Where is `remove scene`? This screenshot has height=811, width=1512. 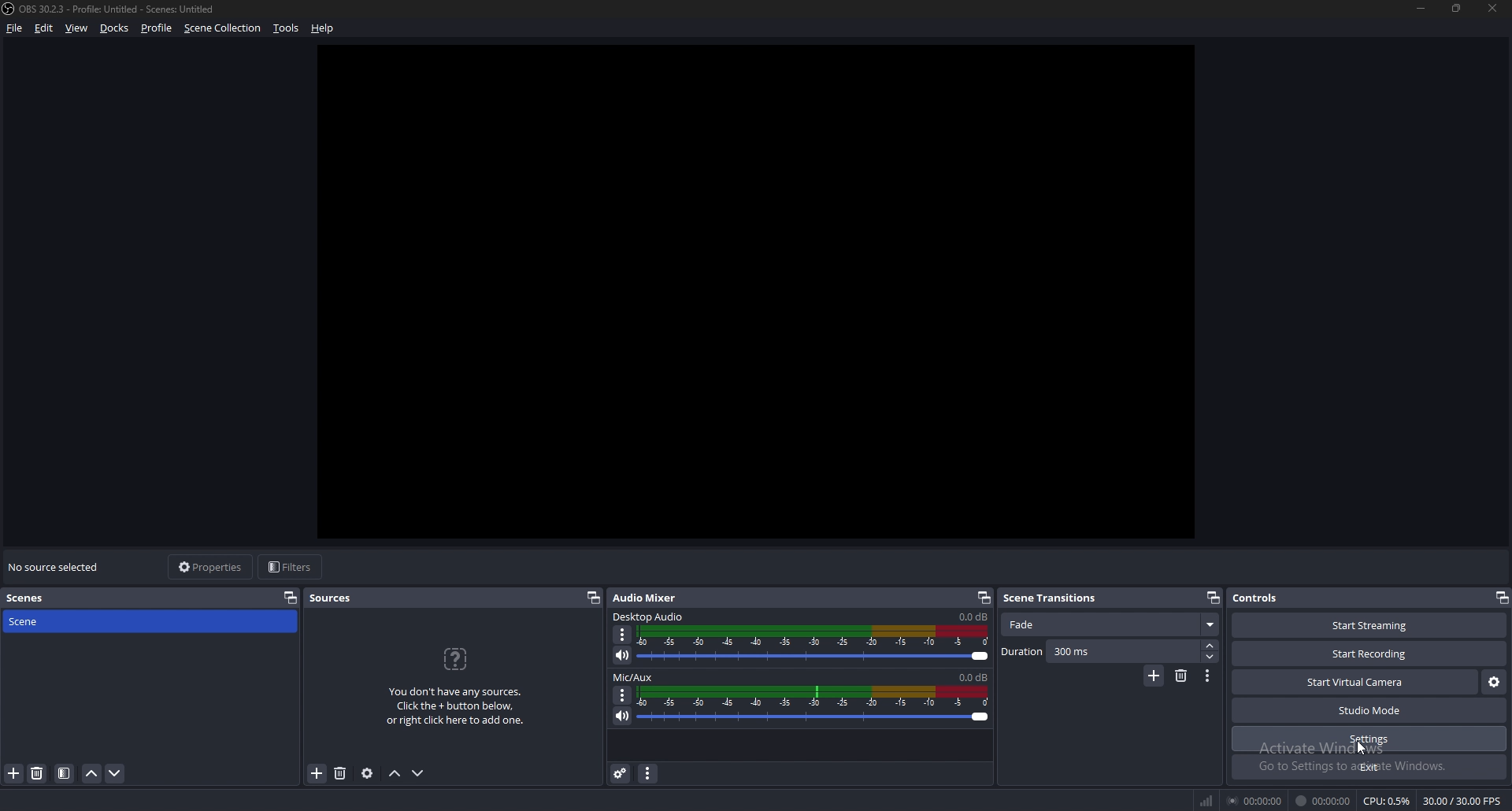
remove scene is located at coordinates (38, 773).